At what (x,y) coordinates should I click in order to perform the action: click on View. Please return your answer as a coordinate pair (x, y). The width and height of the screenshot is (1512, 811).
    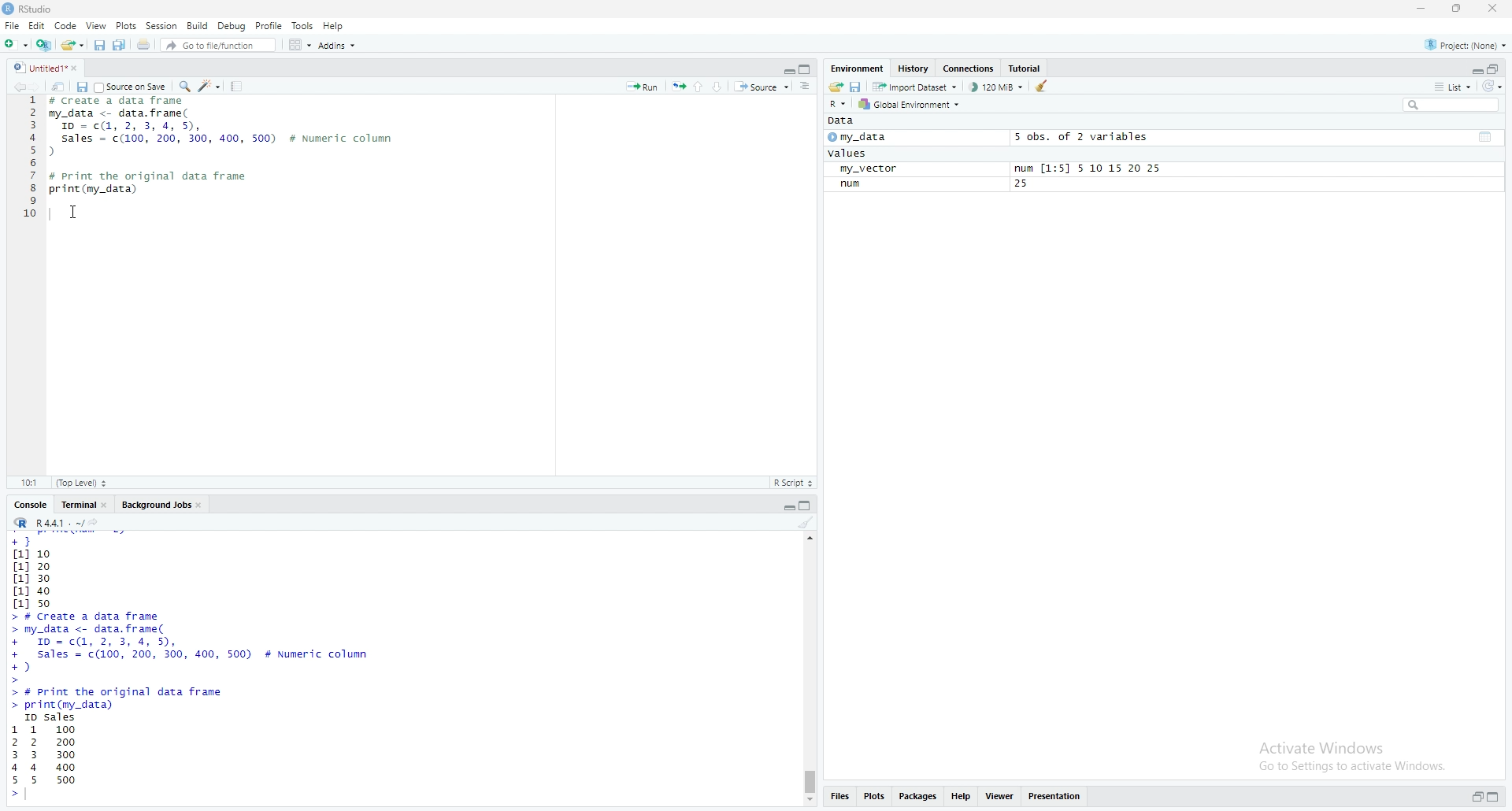
    Looking at the image, I should click on (94, 27).